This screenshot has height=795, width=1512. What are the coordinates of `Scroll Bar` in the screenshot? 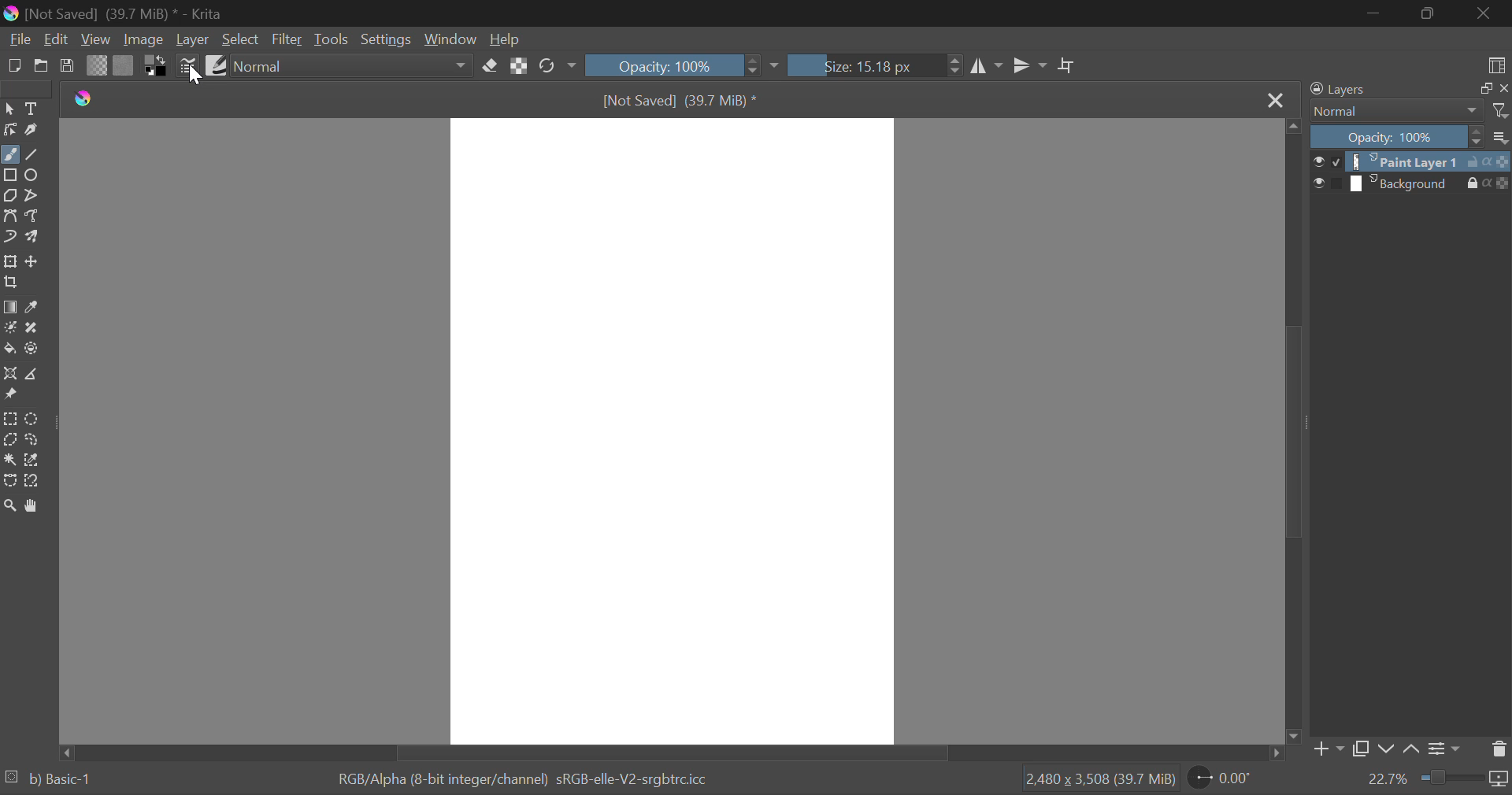 It's located at (1295, 430).